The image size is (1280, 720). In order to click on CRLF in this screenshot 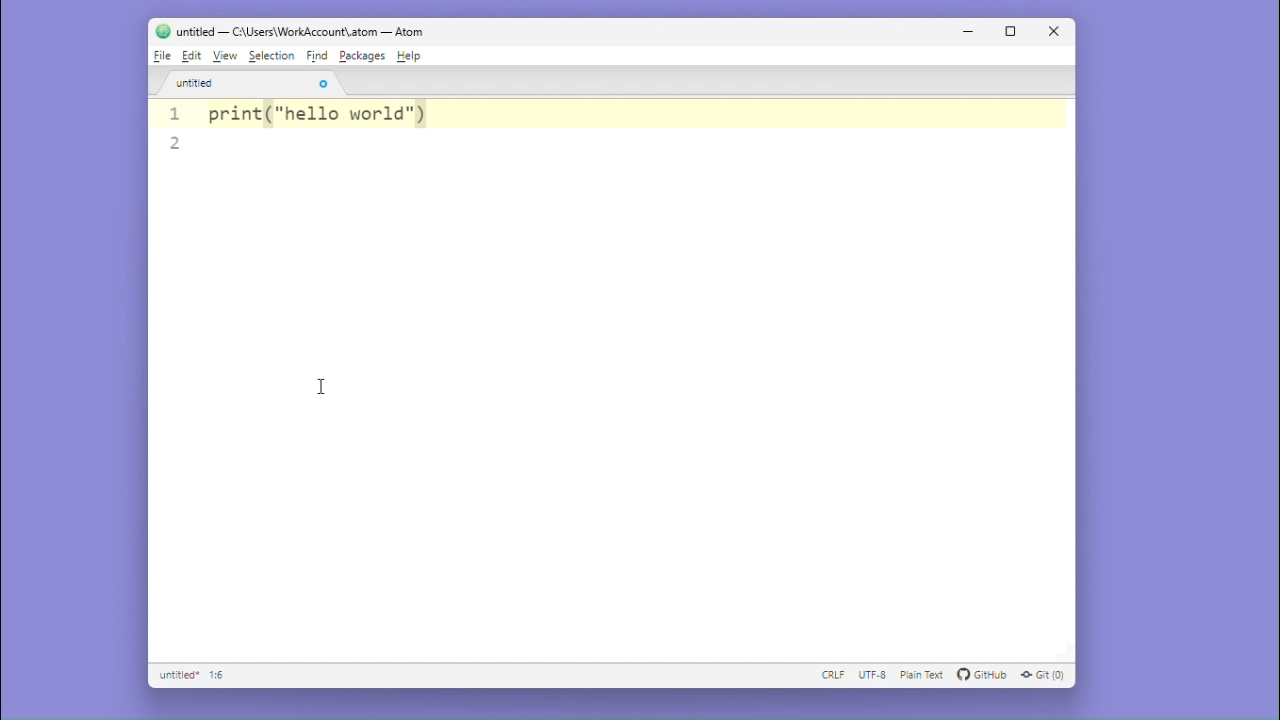, I will do `click(831, 677)`.